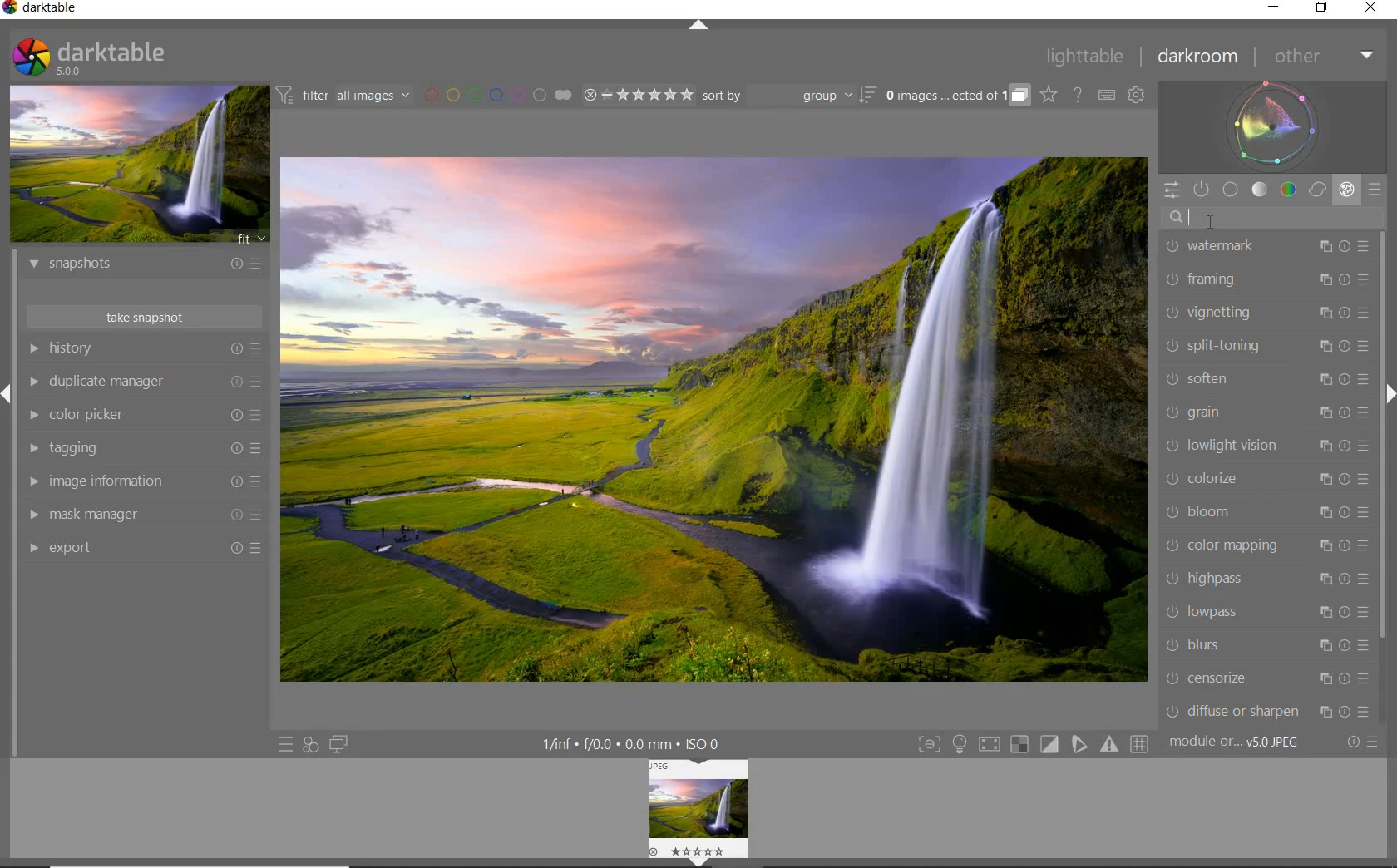  What do you see at coordinates (701, 806) in the screenshot?
I see `` at bounding box center [701, 806].